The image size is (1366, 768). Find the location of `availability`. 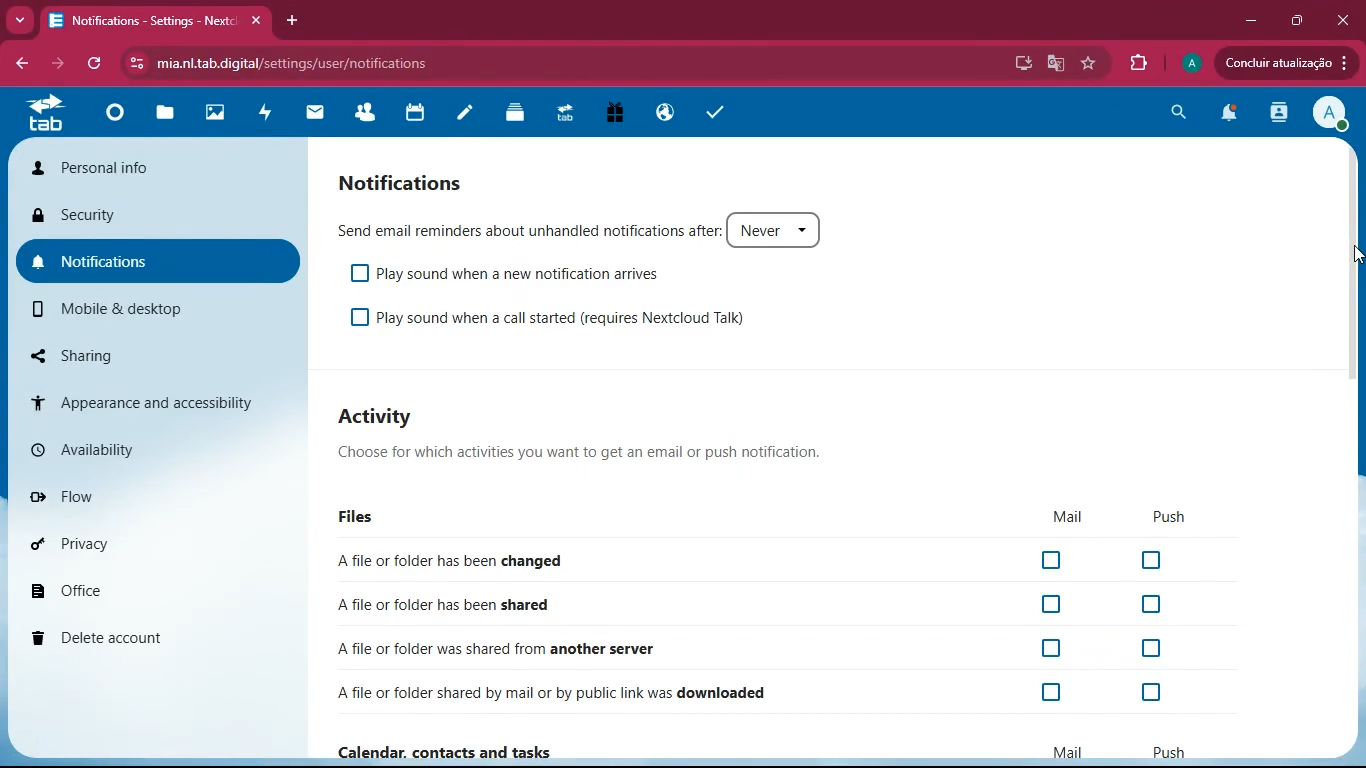

availability is located at coordinates (141, 449).